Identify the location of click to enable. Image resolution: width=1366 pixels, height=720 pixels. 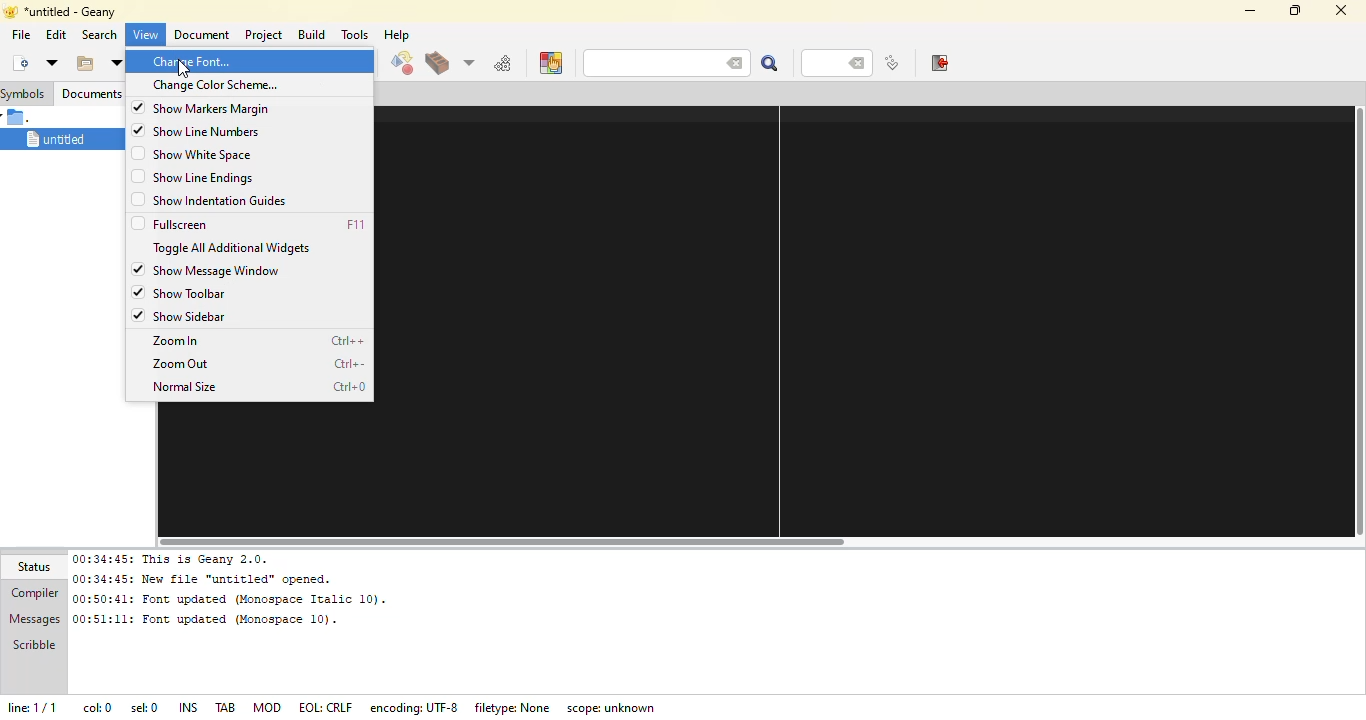
(136, 223).